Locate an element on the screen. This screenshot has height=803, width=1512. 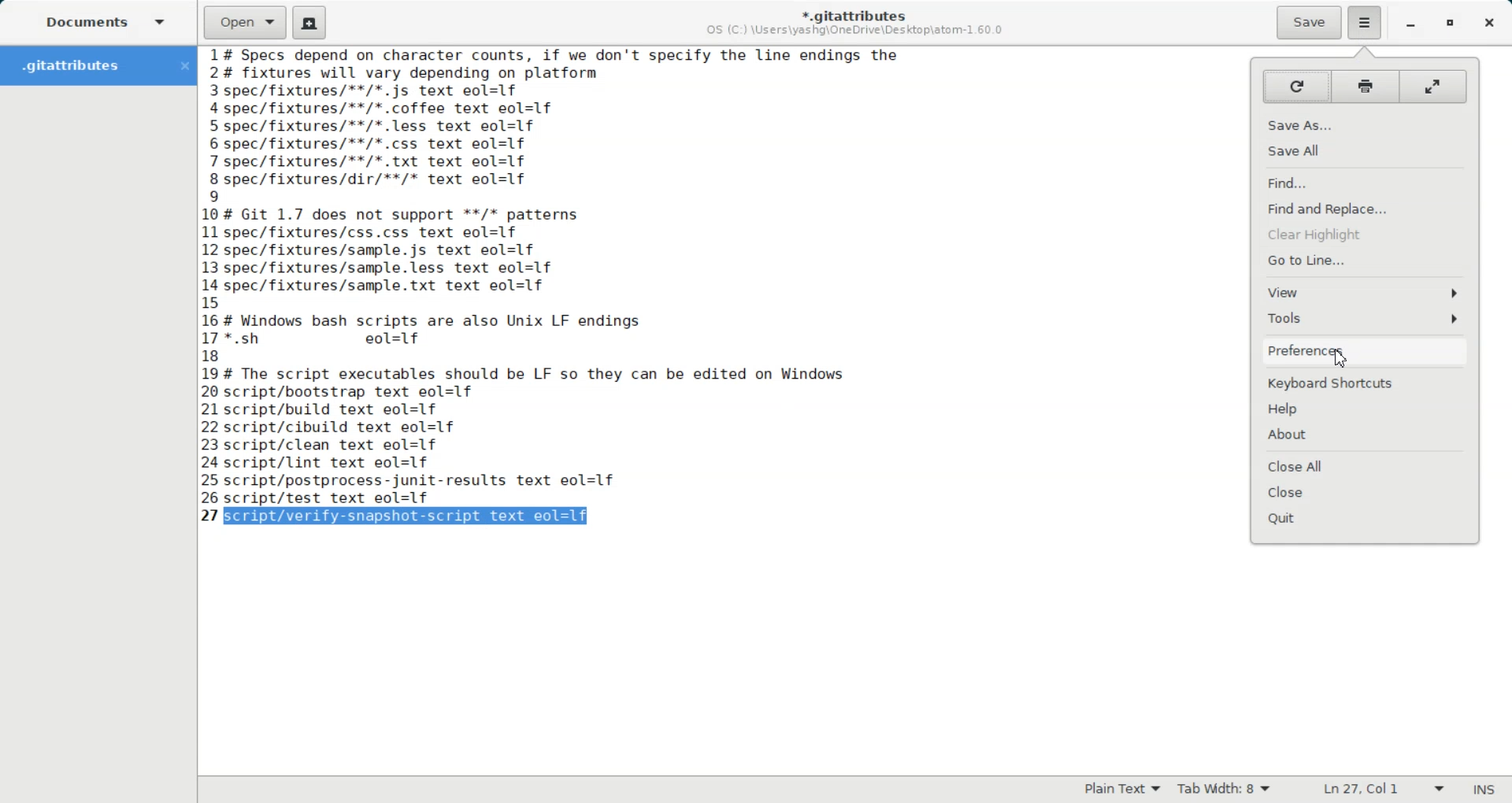
Ln 27, Col 42 is located at coordinates (1377, 790).